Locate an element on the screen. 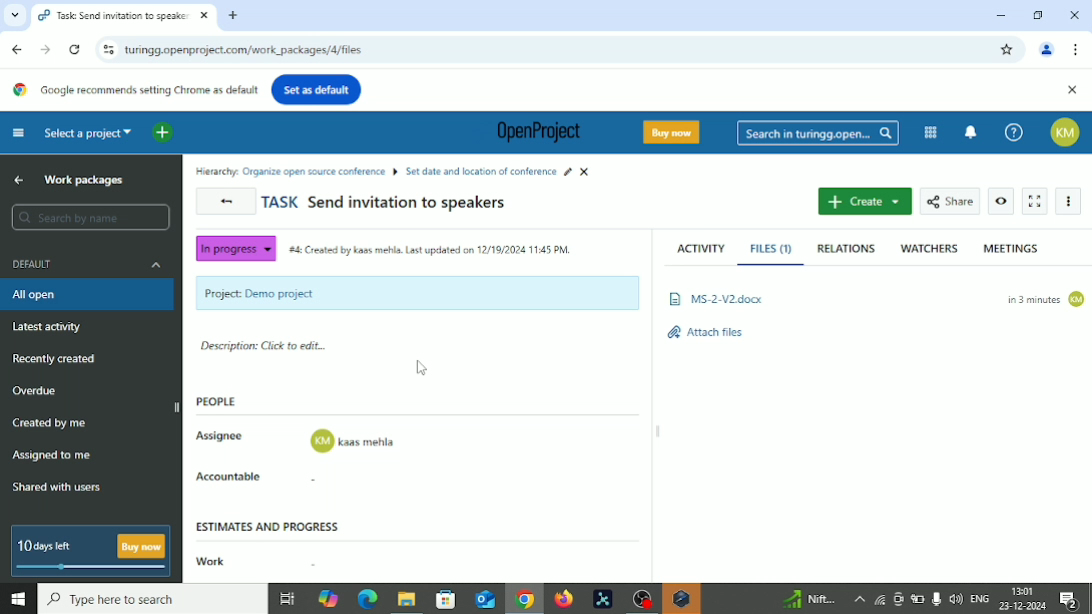  Activate zen mode is located at coordinates (1035, 202).